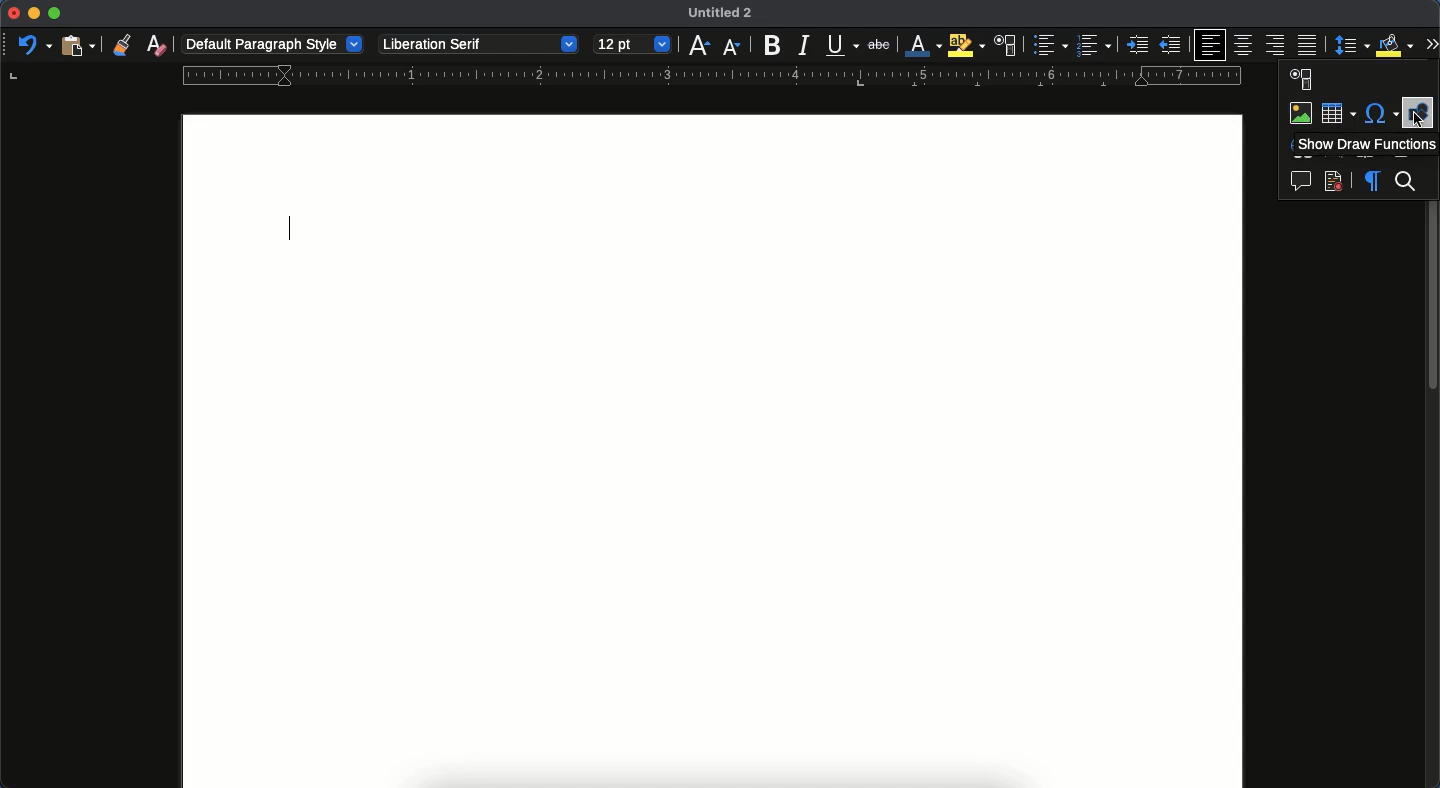  I want to click on indent, so click(1137, 45).